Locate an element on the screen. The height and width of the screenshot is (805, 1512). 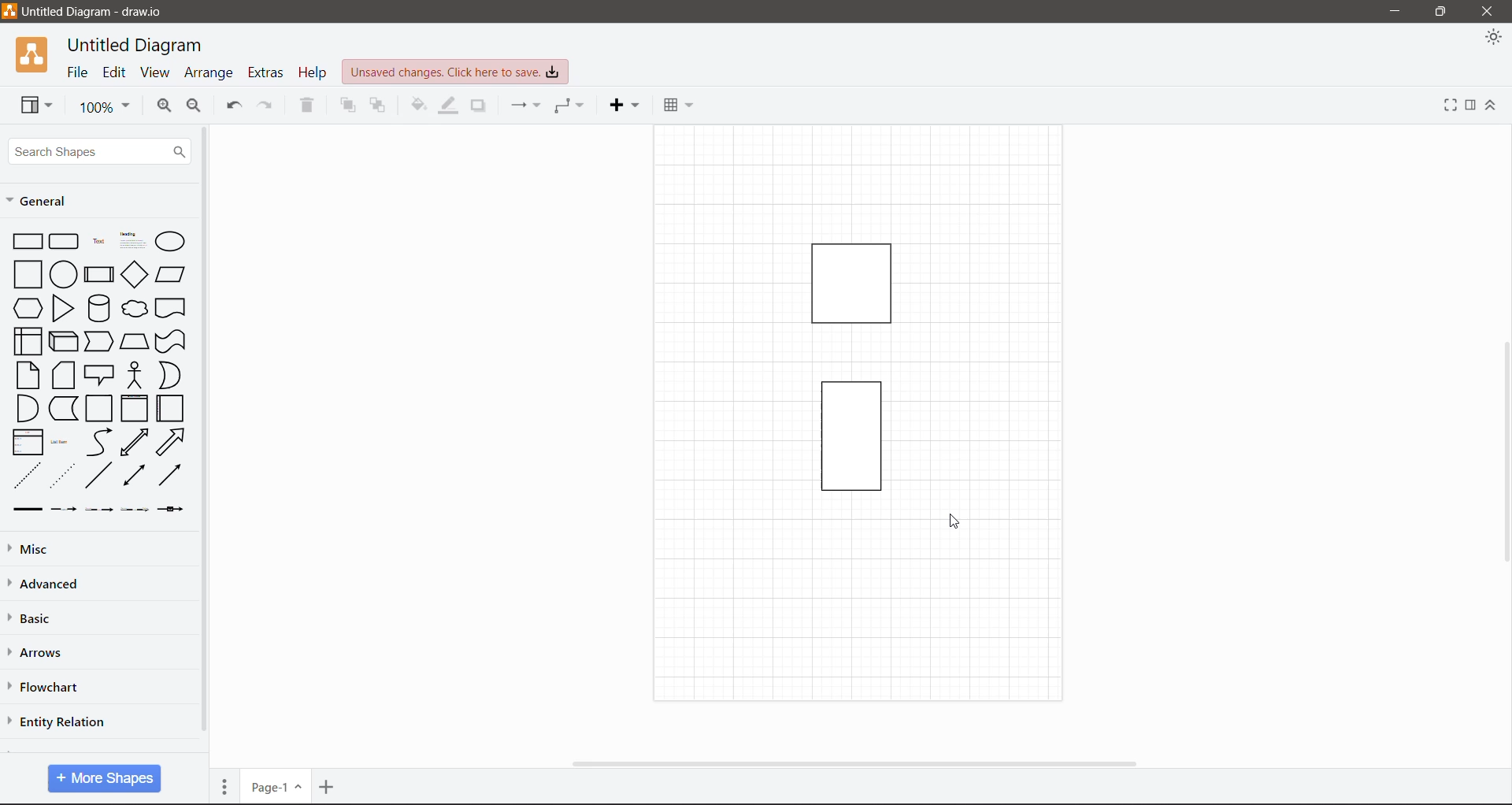
Insert is located at coordinates (624, 106).